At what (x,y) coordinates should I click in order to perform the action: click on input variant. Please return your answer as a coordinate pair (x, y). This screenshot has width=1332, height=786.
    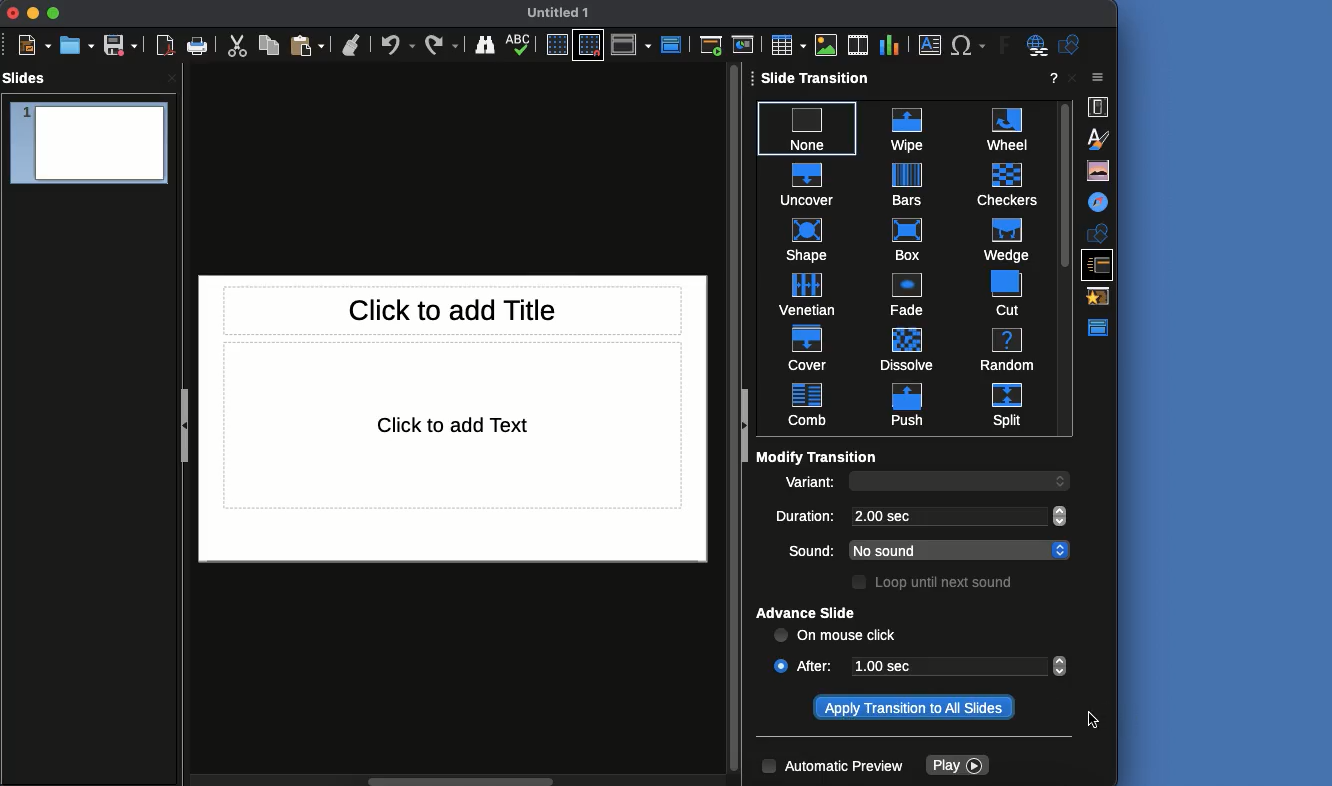
    Looking at the image, I should click on (946, 483).